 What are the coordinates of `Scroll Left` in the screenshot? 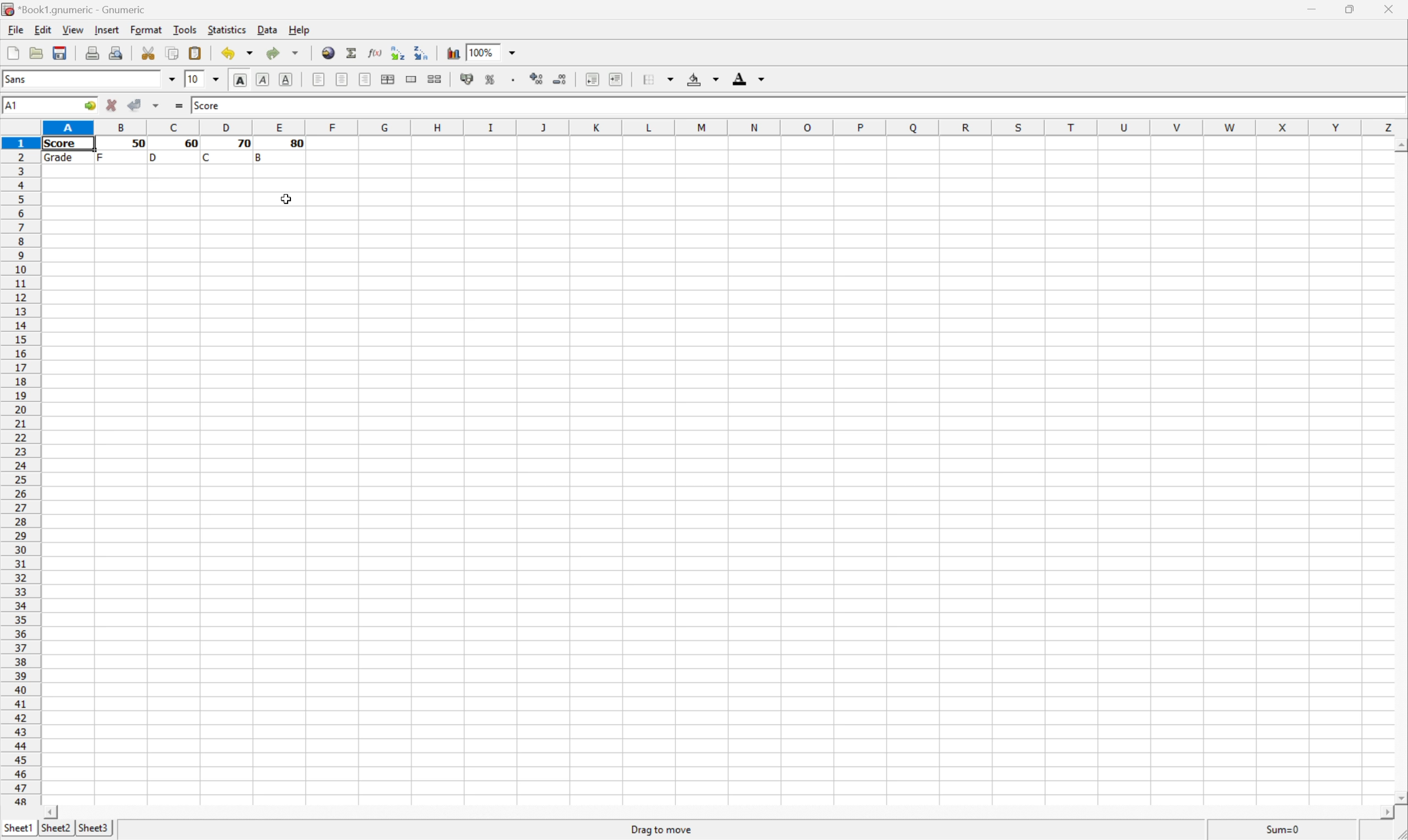 It's located at (48, 810).